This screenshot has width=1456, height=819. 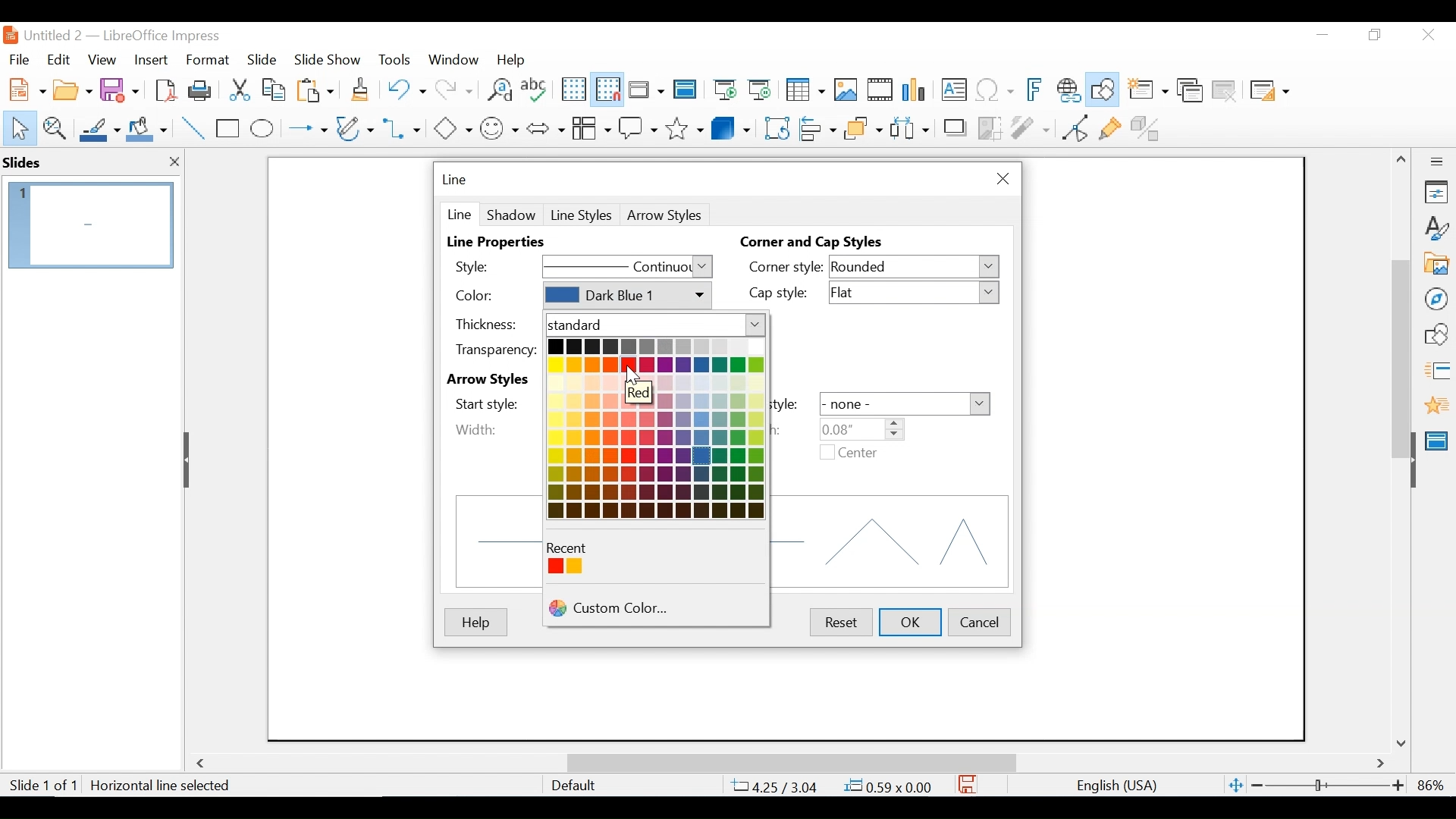 I want to click on OK, so click(x=912, y=622).